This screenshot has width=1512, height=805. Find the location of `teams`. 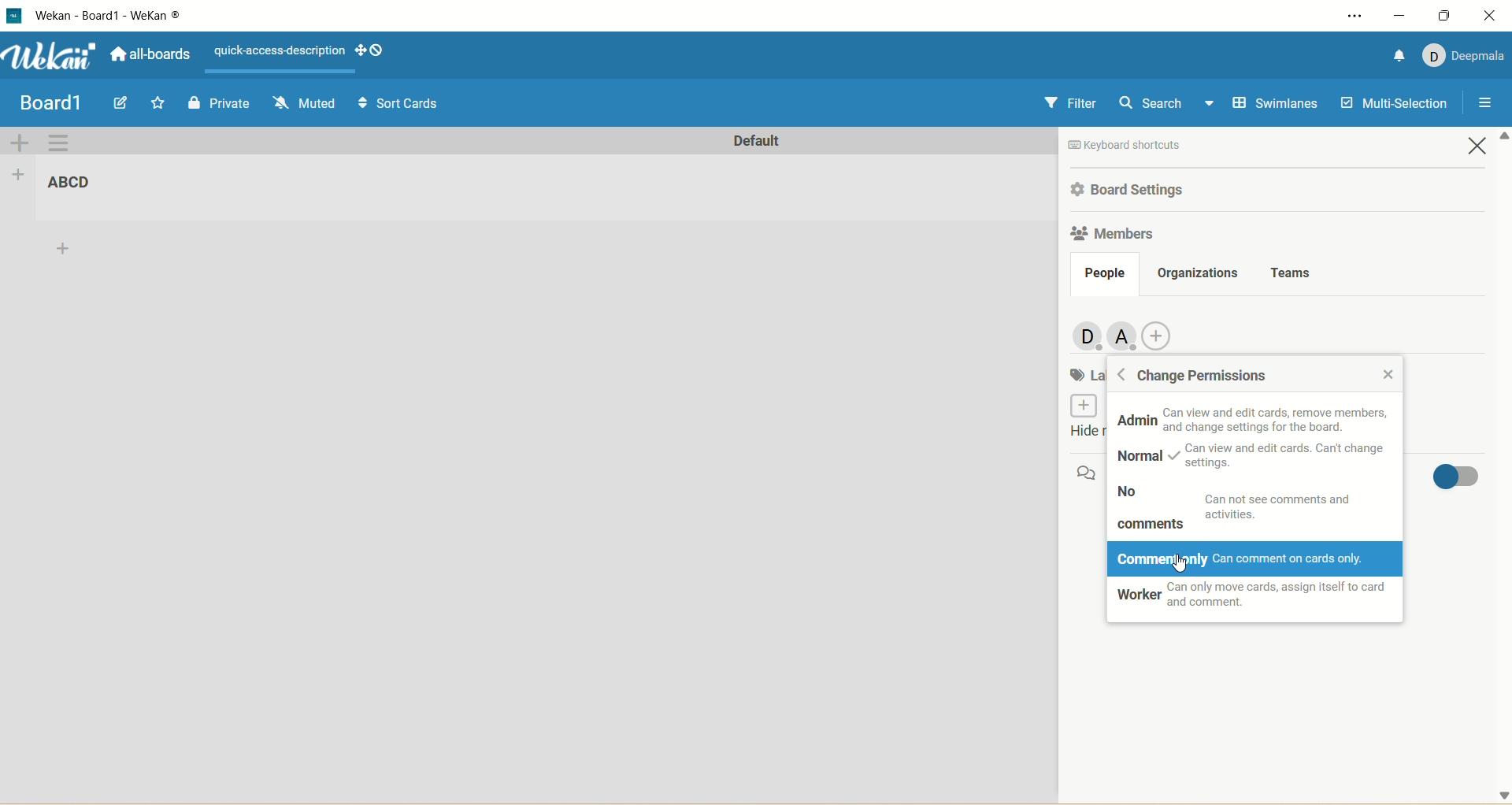

teams is located at coordinates (1293, 270).